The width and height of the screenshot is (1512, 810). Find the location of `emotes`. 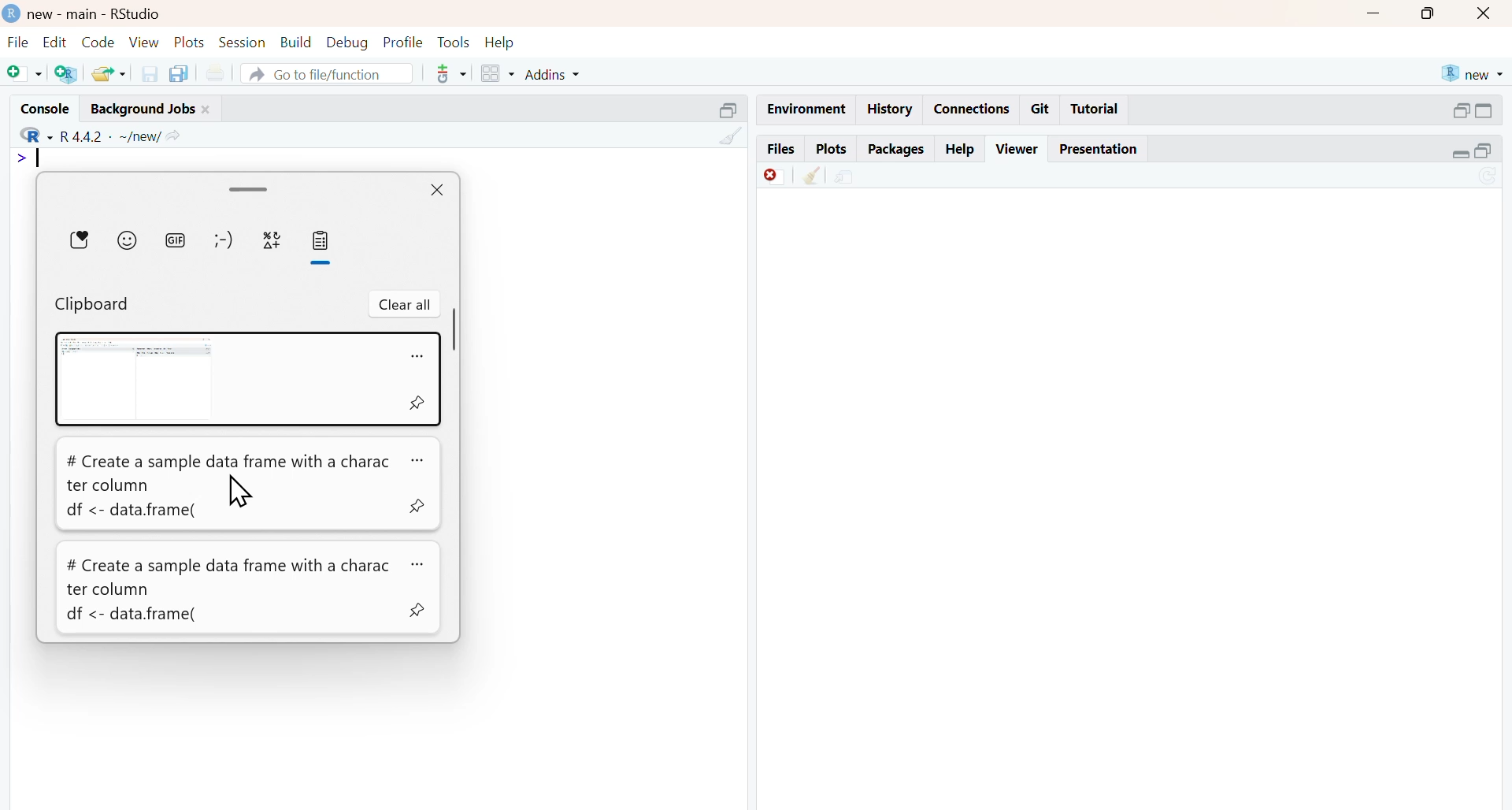

emotes is located at coordinates (224, 241).